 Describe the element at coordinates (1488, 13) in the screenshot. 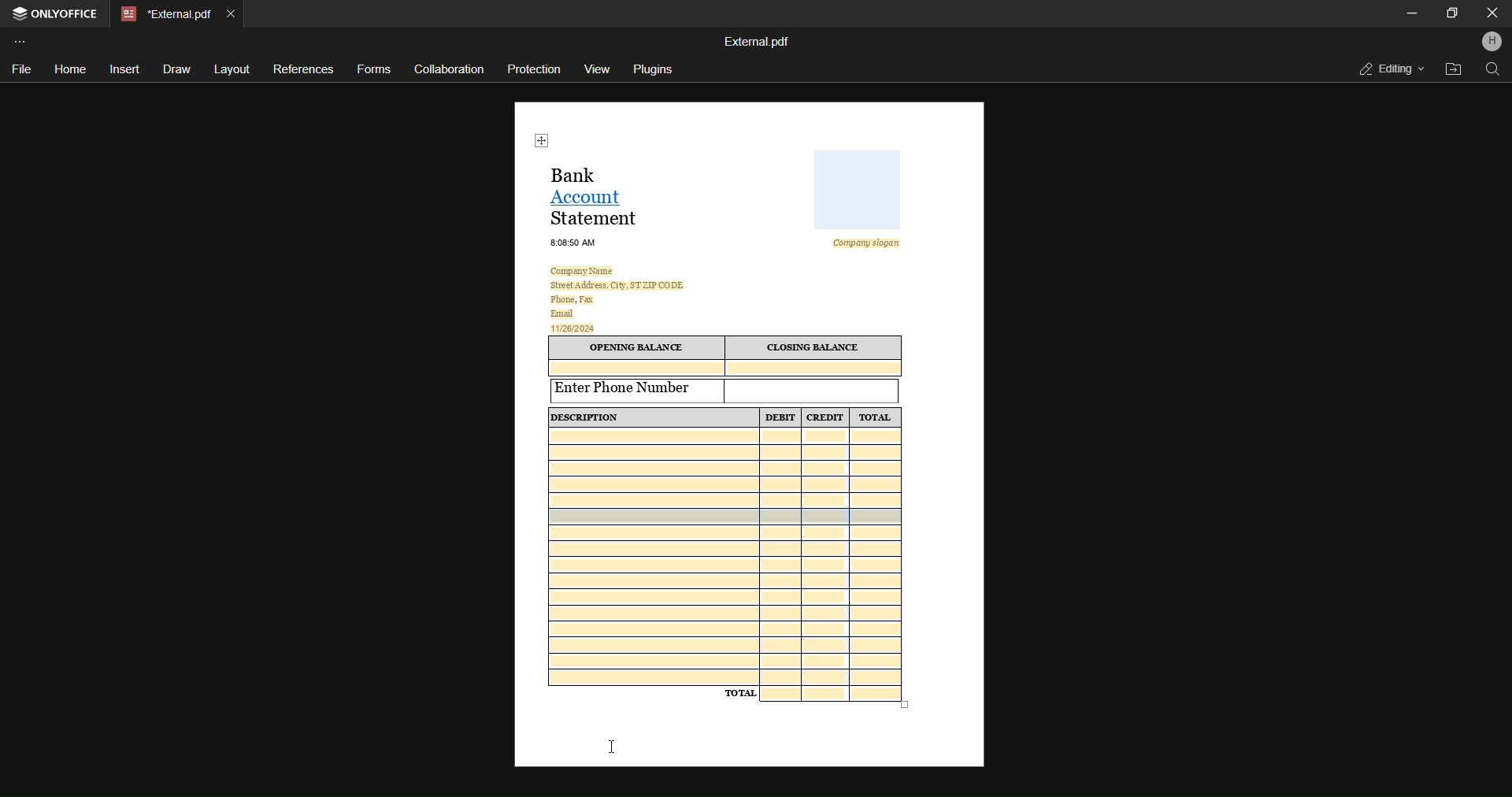

I see `close` at that location.